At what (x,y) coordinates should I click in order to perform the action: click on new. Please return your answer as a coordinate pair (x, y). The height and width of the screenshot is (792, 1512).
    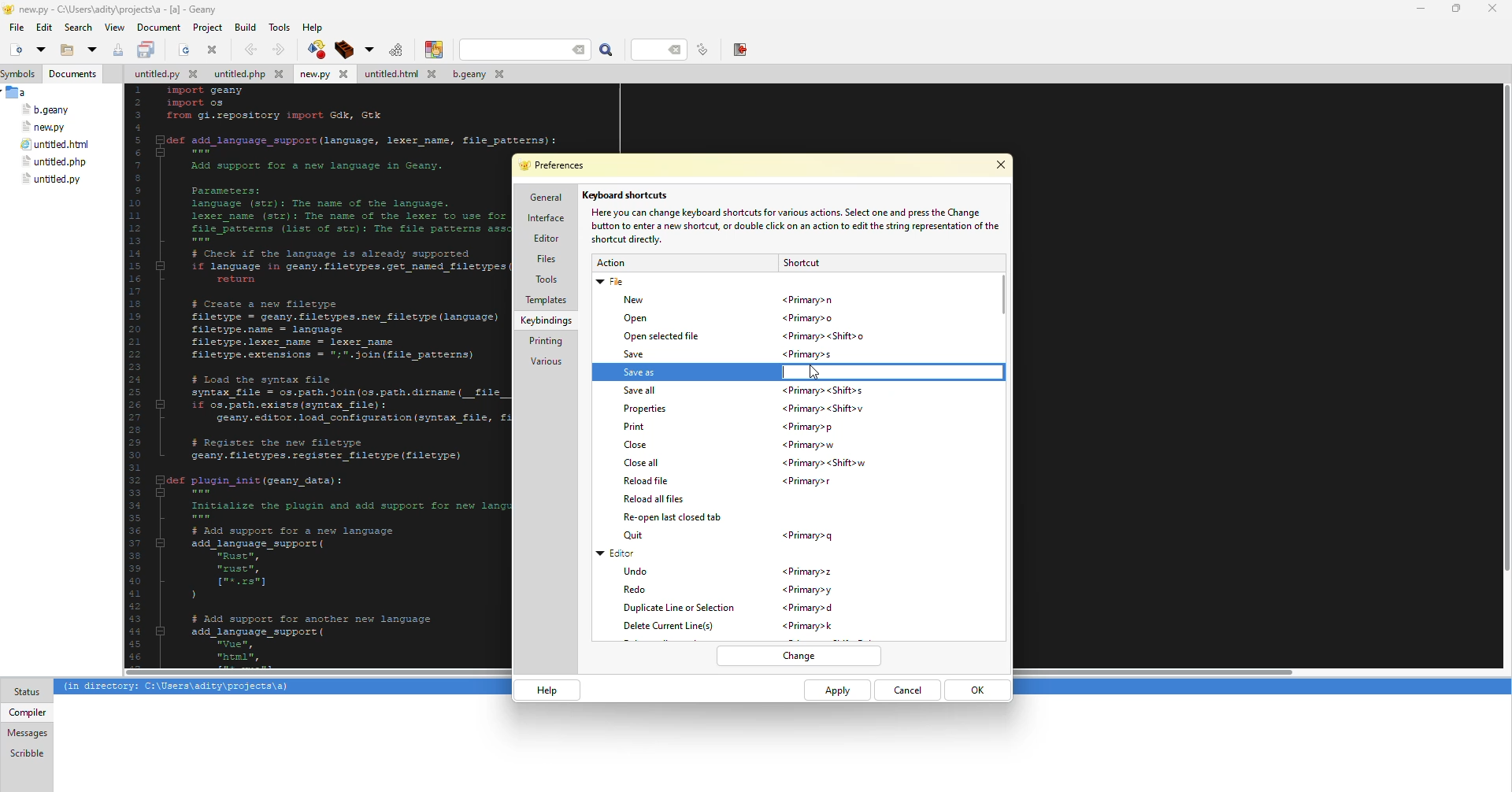
    Looking at the image, I should click on (631, 301).